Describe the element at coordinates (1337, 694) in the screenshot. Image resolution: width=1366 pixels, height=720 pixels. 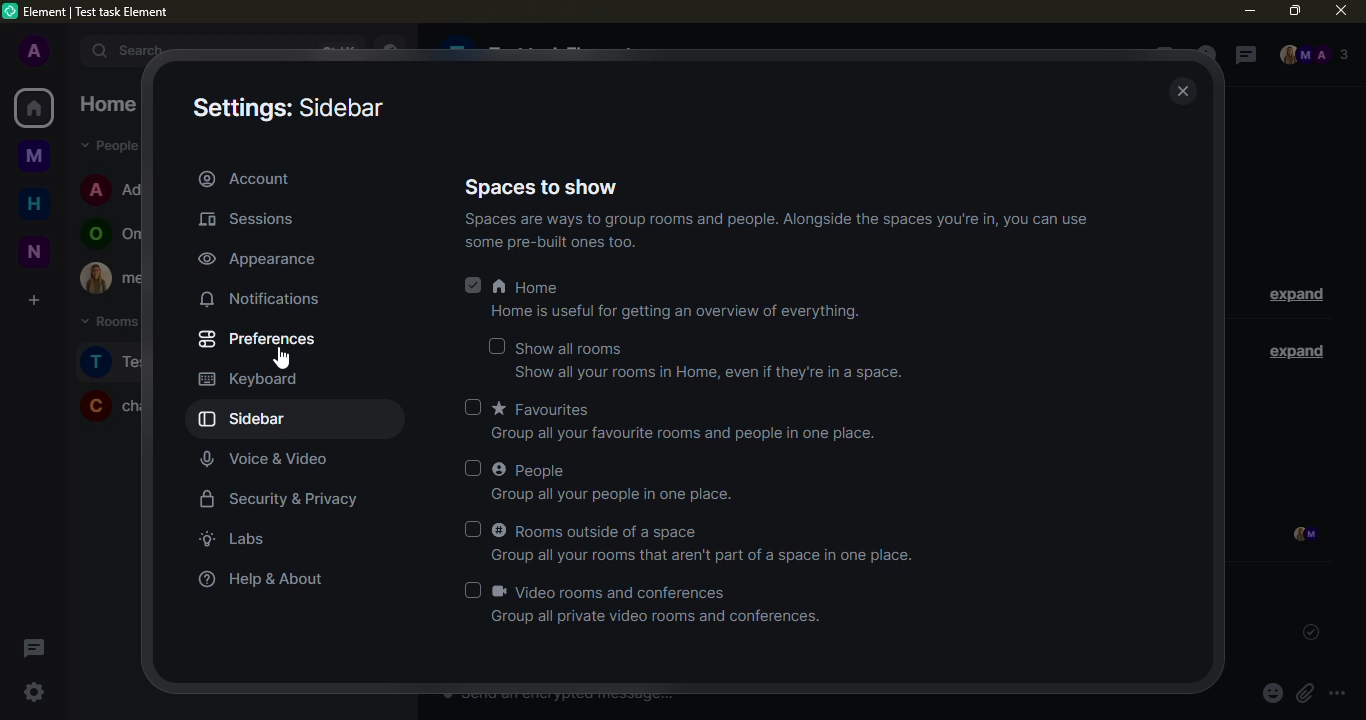
I see `more` at that location.